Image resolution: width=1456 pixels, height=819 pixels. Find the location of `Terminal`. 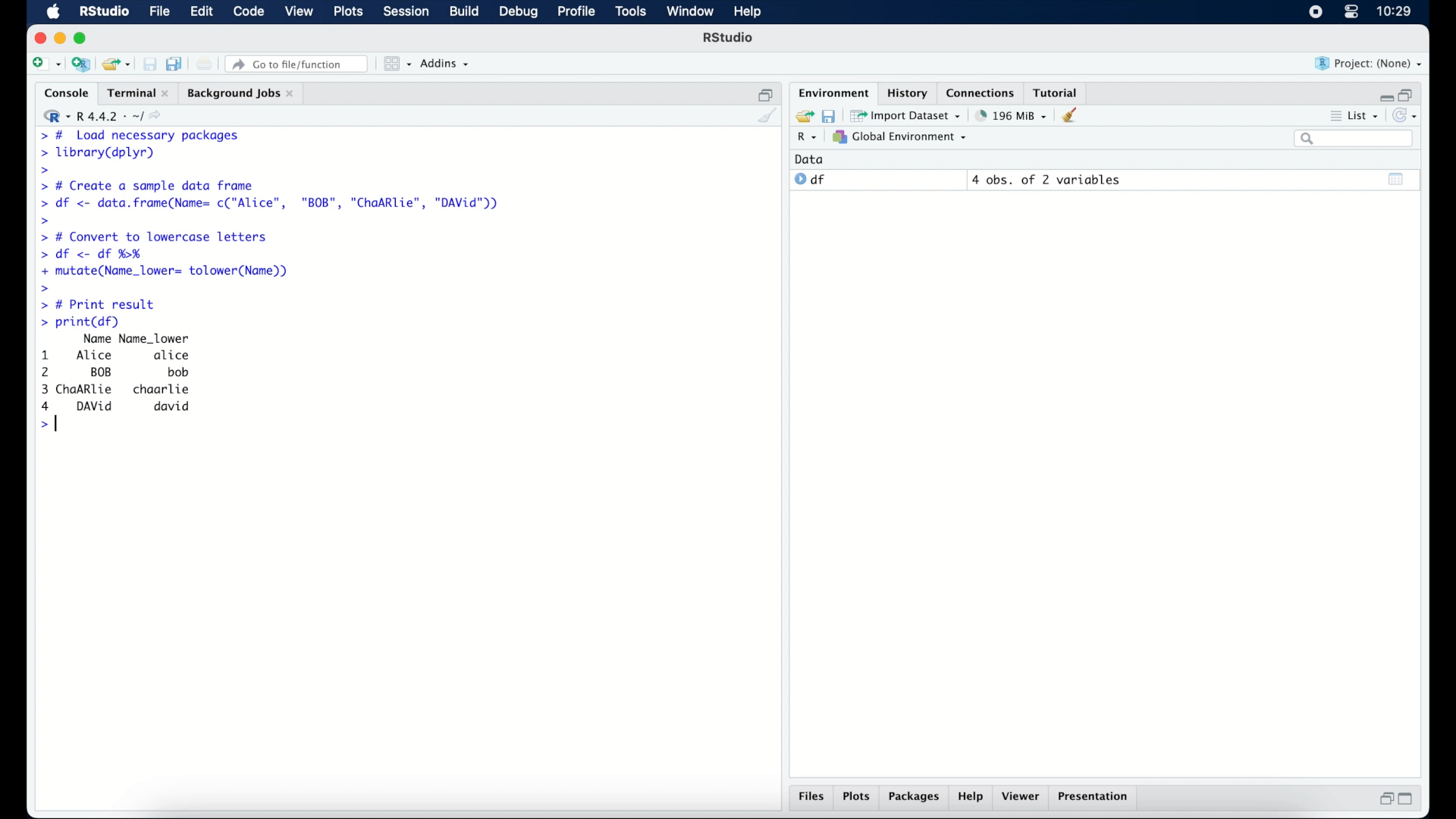

Terminal is located at coordinates (133, 93).